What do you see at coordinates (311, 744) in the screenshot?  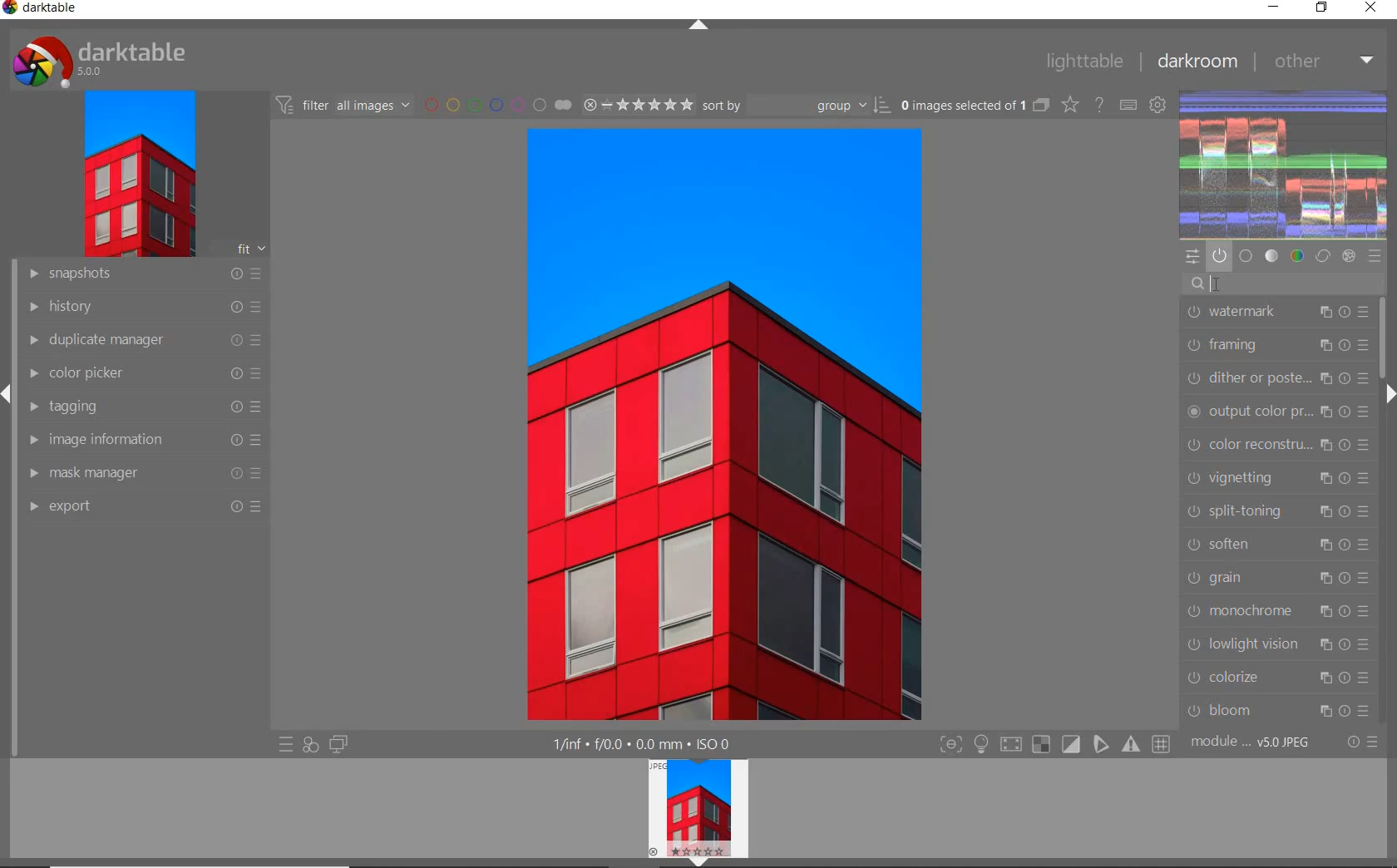 I see `quick access for applying any of your styles` at bounding box center [311, 744].